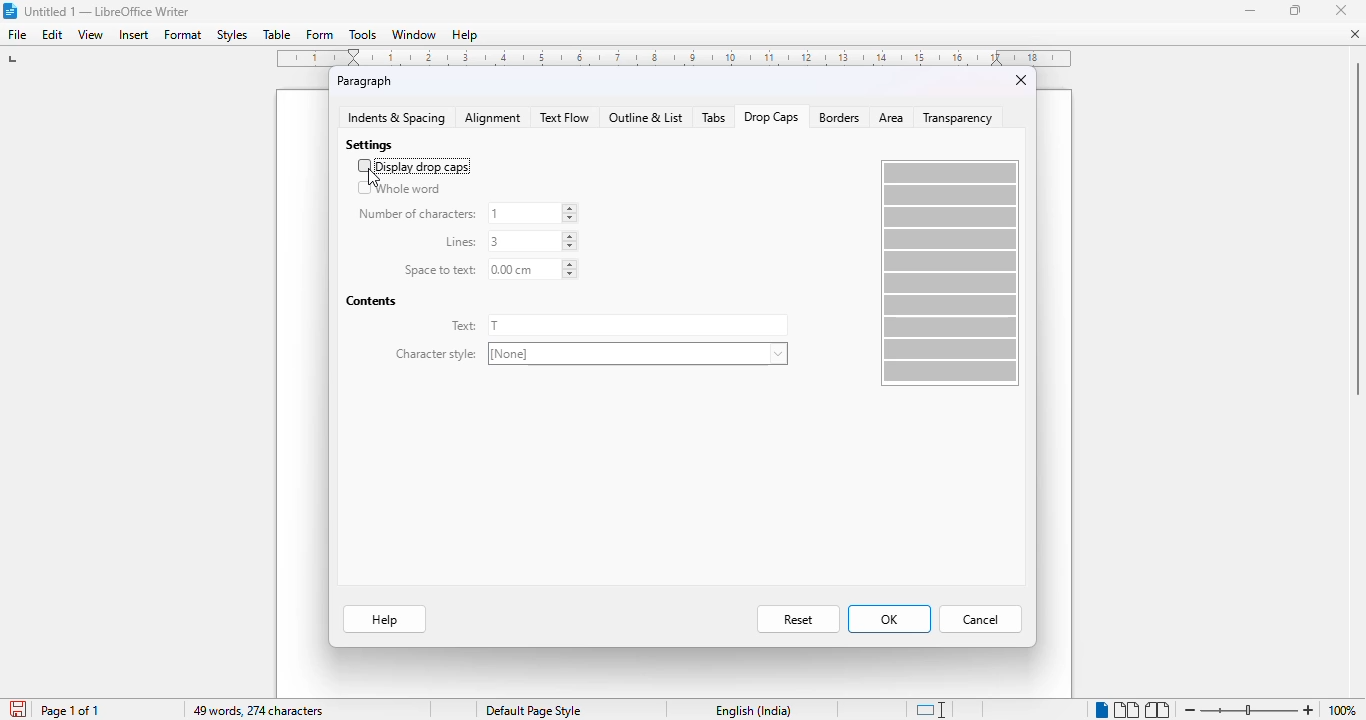 This screenshot has height=720, width=1366. What do you see at coordinates (890, 117) in the screenshot?
I see `area` at bounding box center [890, 117].